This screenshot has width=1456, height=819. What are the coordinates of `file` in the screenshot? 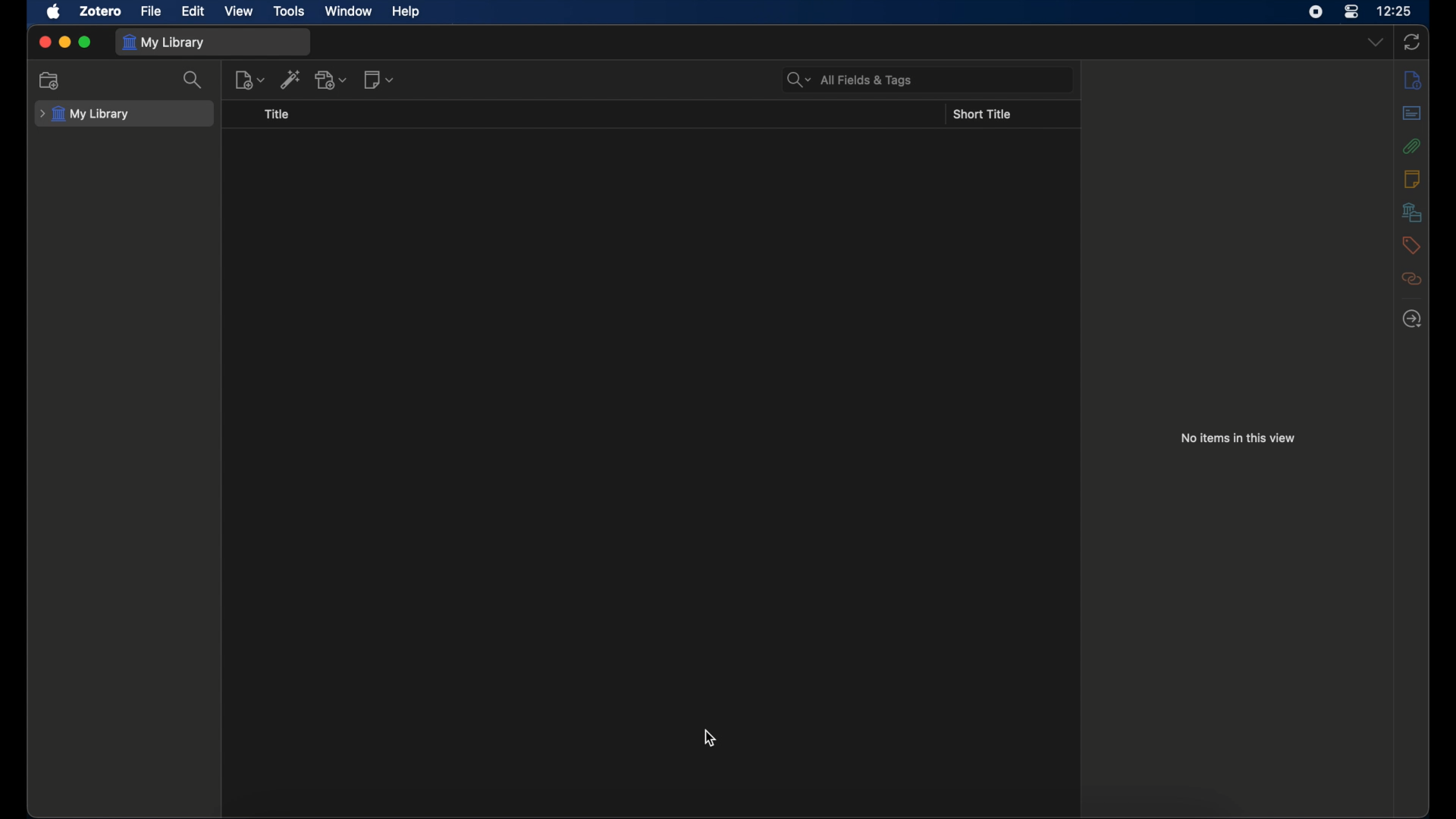 It's located at (151, 11).